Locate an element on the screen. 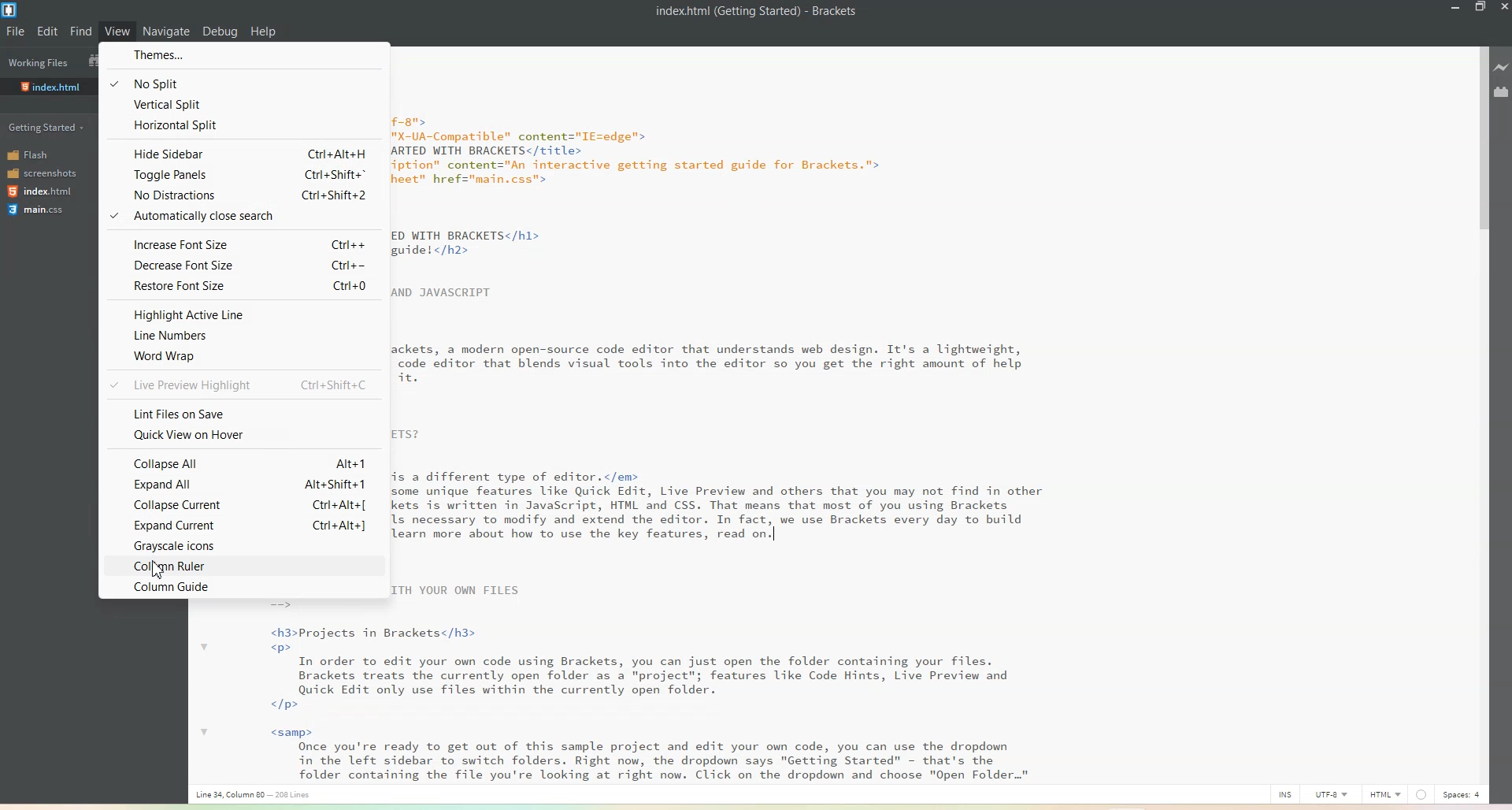 The height and width of the screenshot is (810, 1512). Find is located at coordinates (81, 32).